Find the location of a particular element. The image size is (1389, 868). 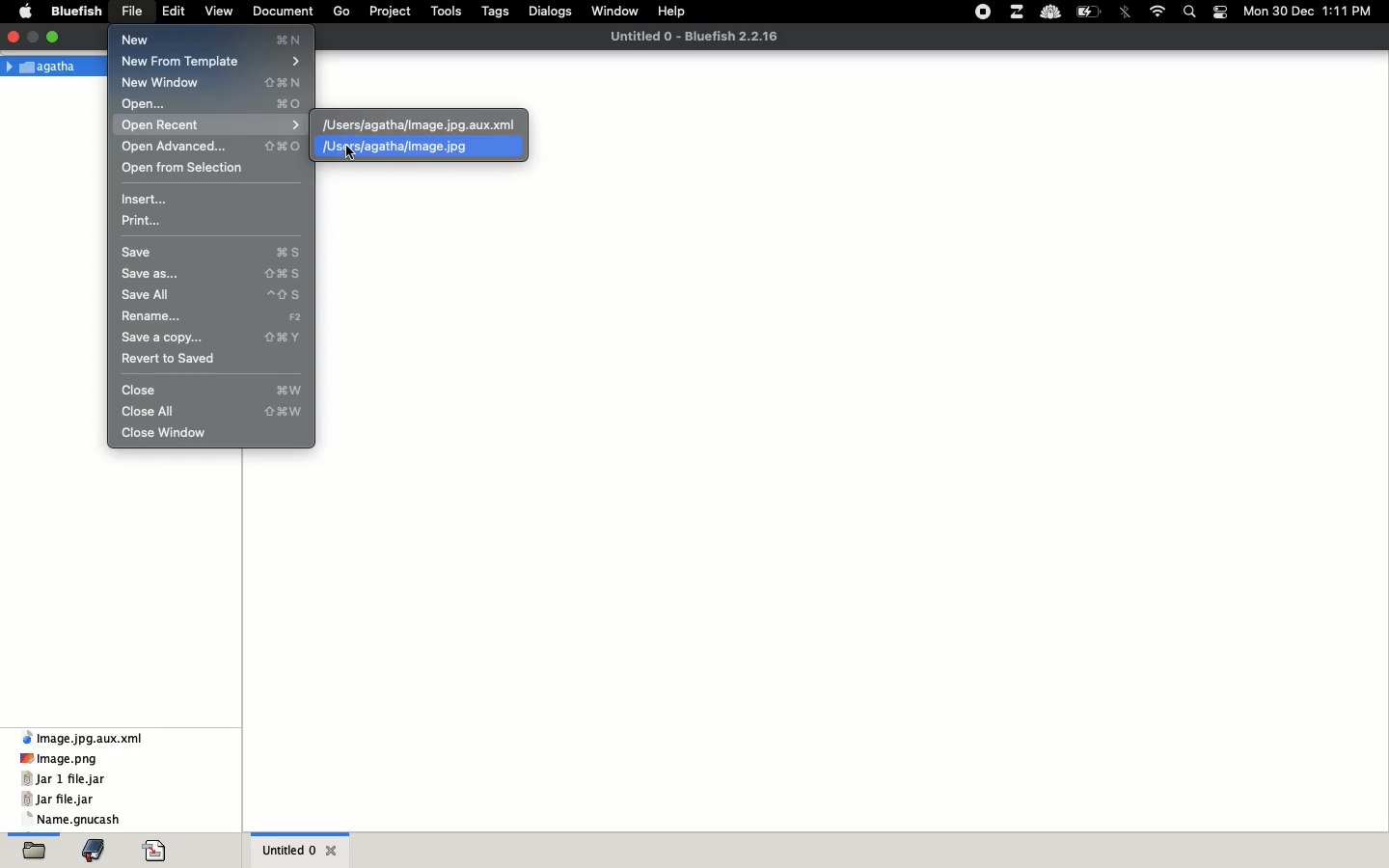

Agatha is located at coordinates (46, 66).